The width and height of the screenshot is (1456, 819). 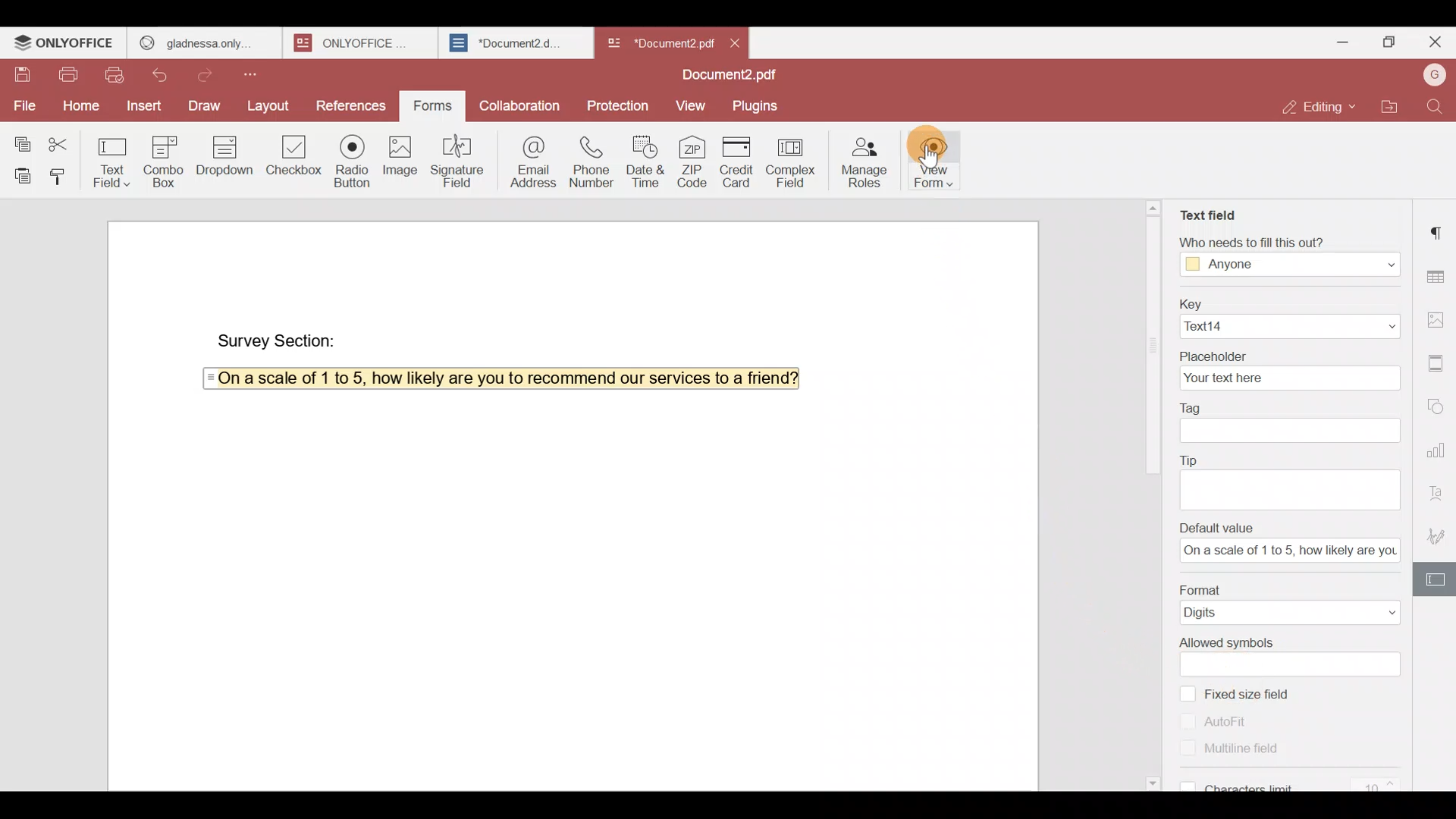 What do you see at coordinates (64, 42) in the screenshot?
I see `ONLYOFFICE` at bounding box center [64, 42].